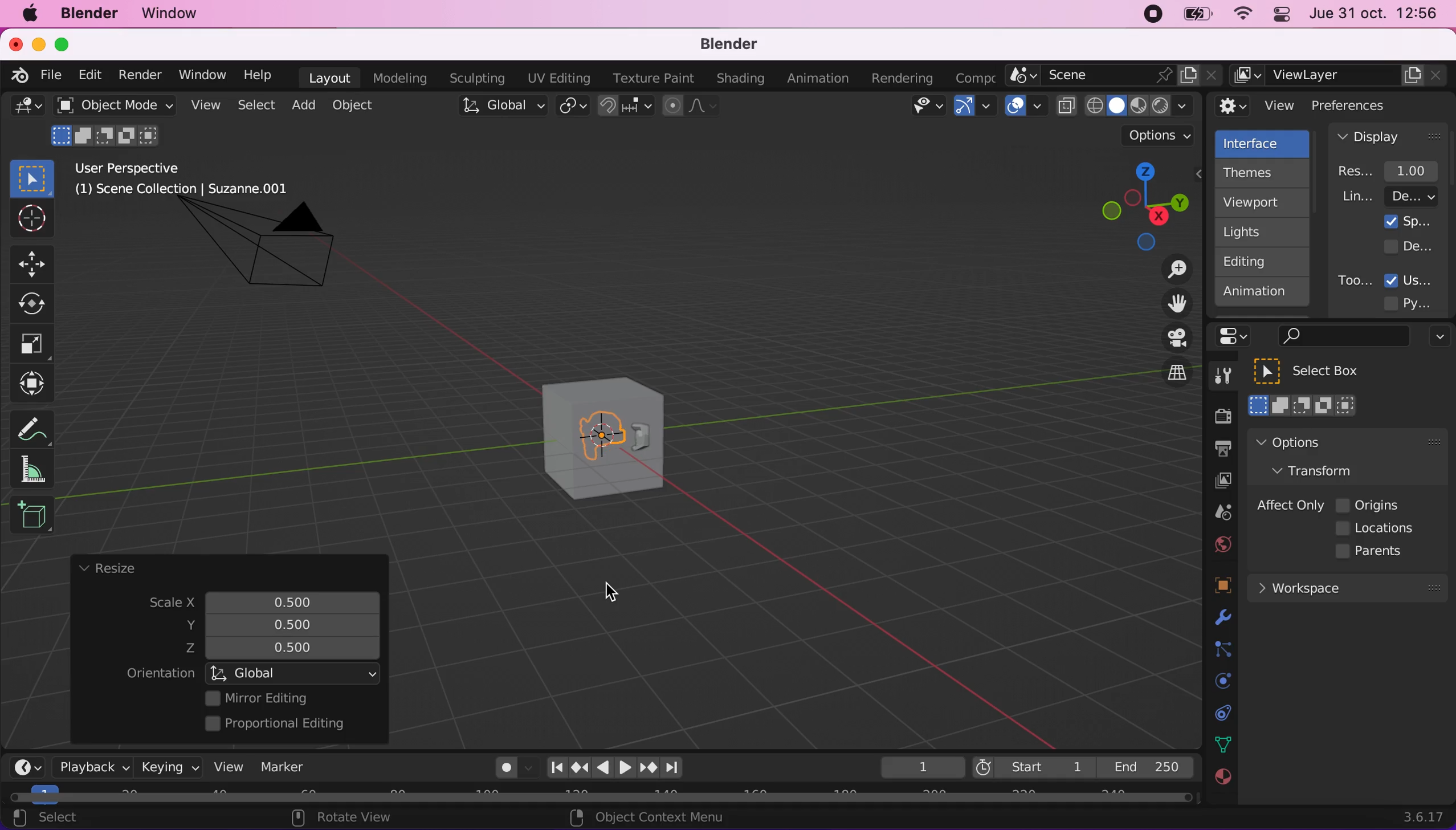 This screenshot has height=830, width=1456. Describe the element at coordinates (30, 219) in the screenshot. I see `` at that location.